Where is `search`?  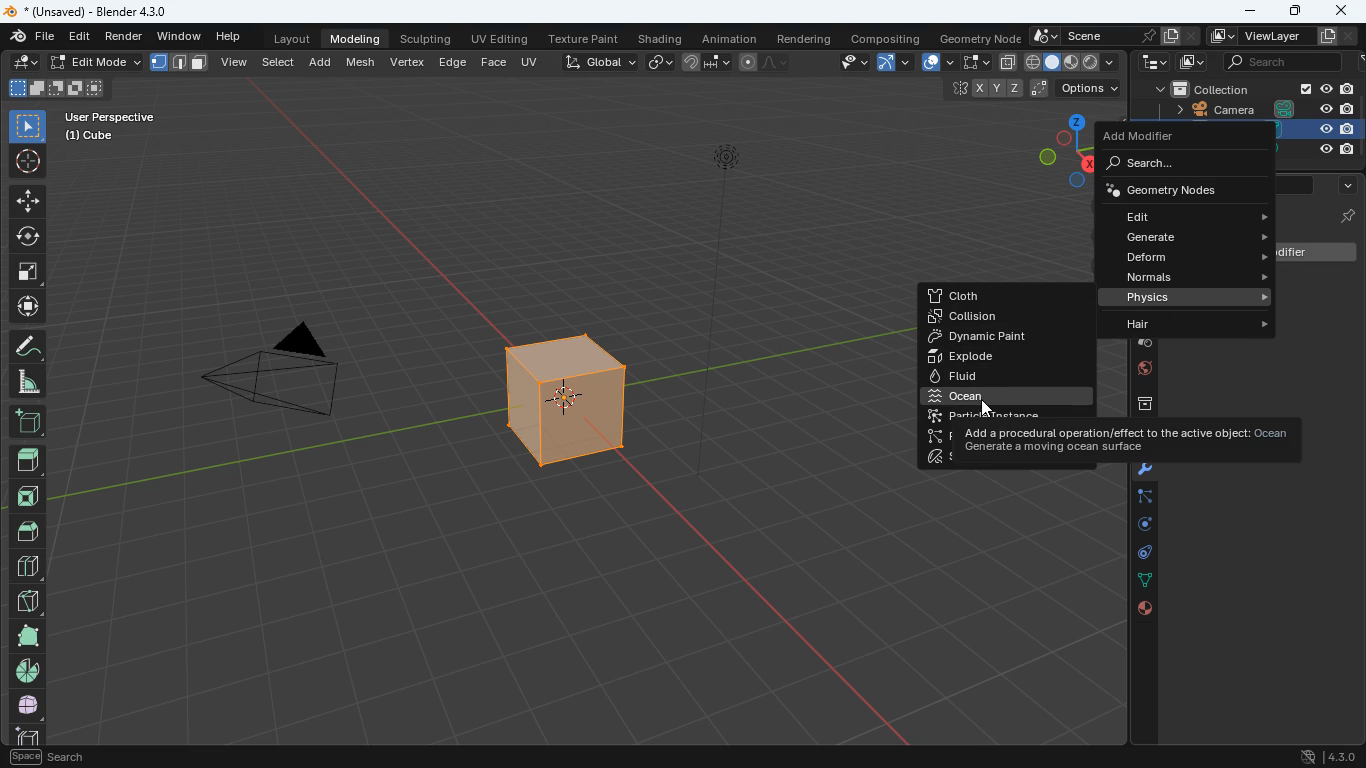 search is located at coordinates (1291, 63).